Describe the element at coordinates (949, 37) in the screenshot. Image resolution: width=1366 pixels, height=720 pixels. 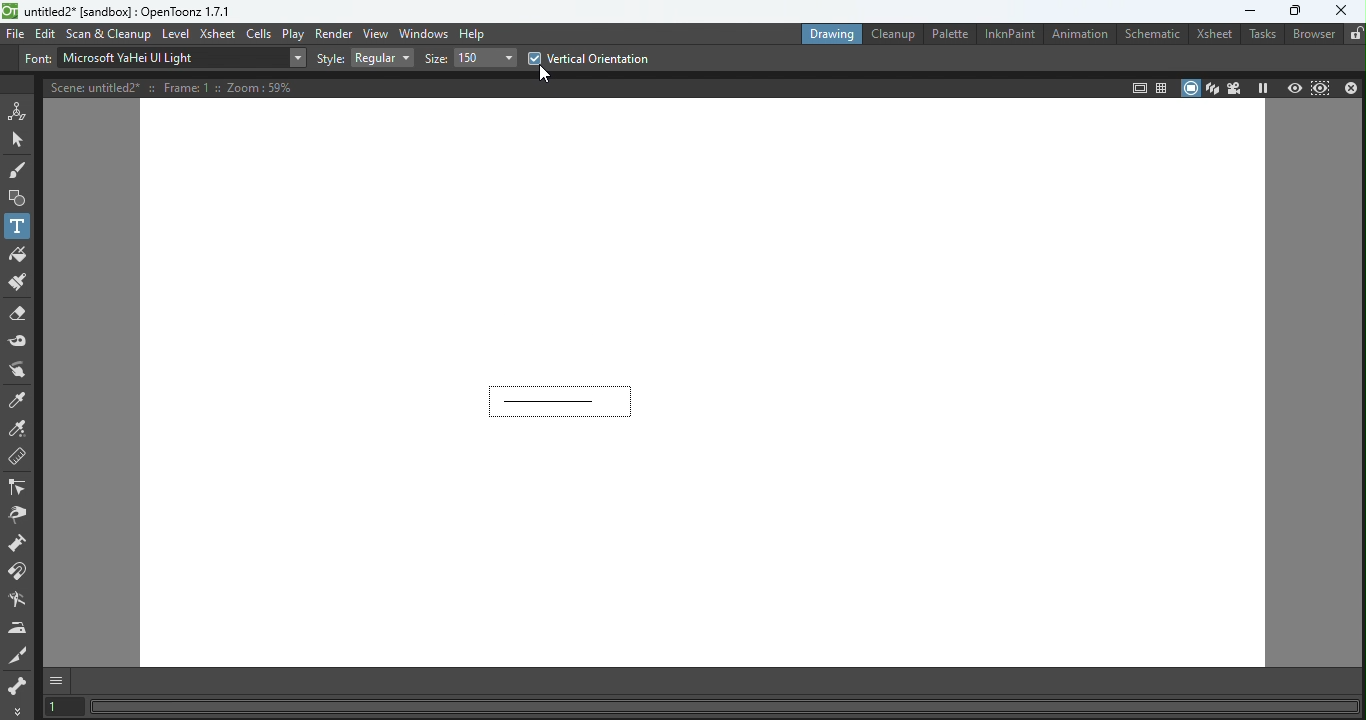
I see `Palette` at that location.